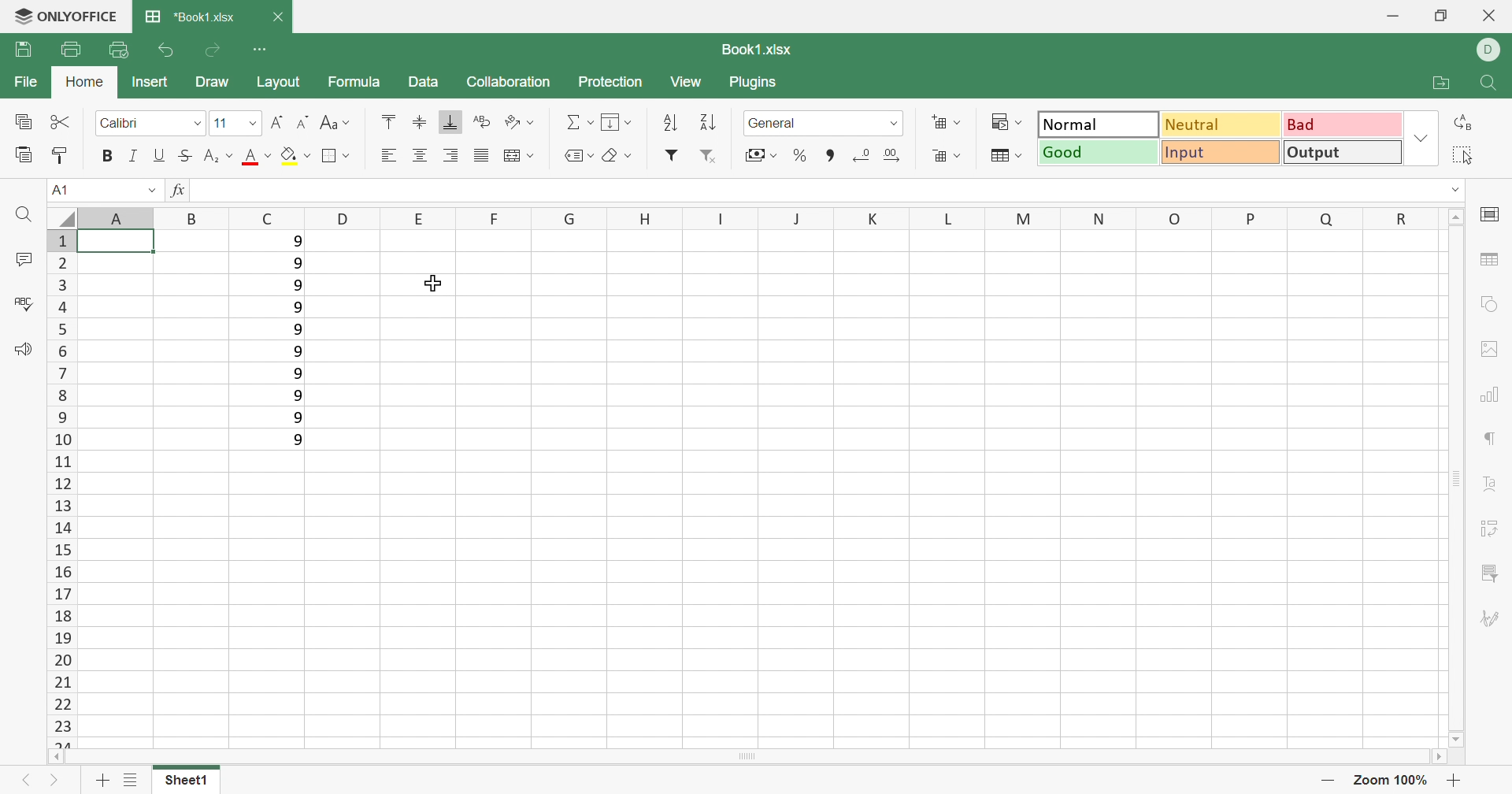 This screenshot has width=1512, height=794. Describe the element at coordinates (259, 48) in the screenshot. I see `Customize Quick Access Toolbar` at that location.